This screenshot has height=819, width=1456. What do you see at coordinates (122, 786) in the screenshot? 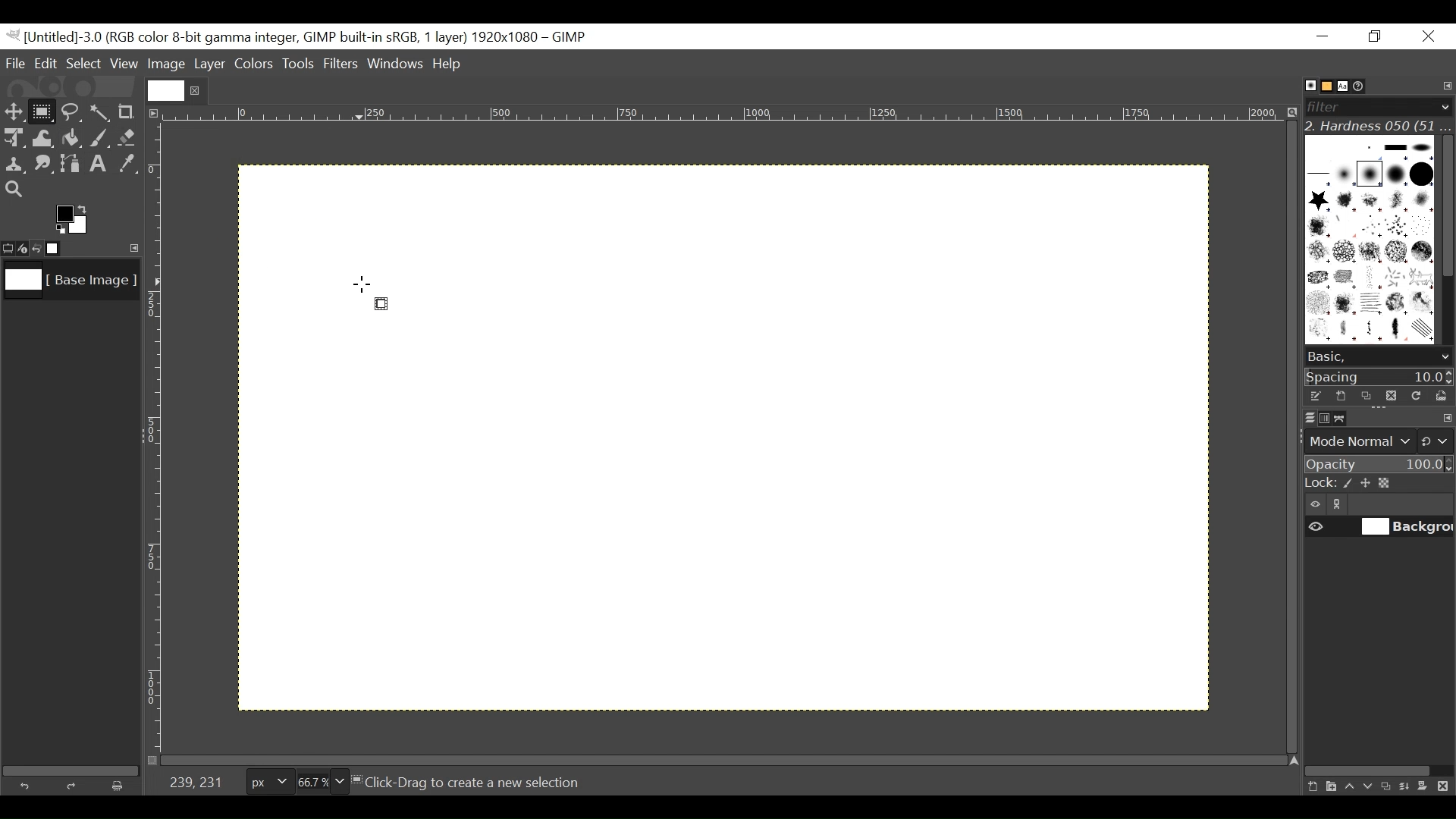
I see `Clear button` at bounding box center [122, 786].